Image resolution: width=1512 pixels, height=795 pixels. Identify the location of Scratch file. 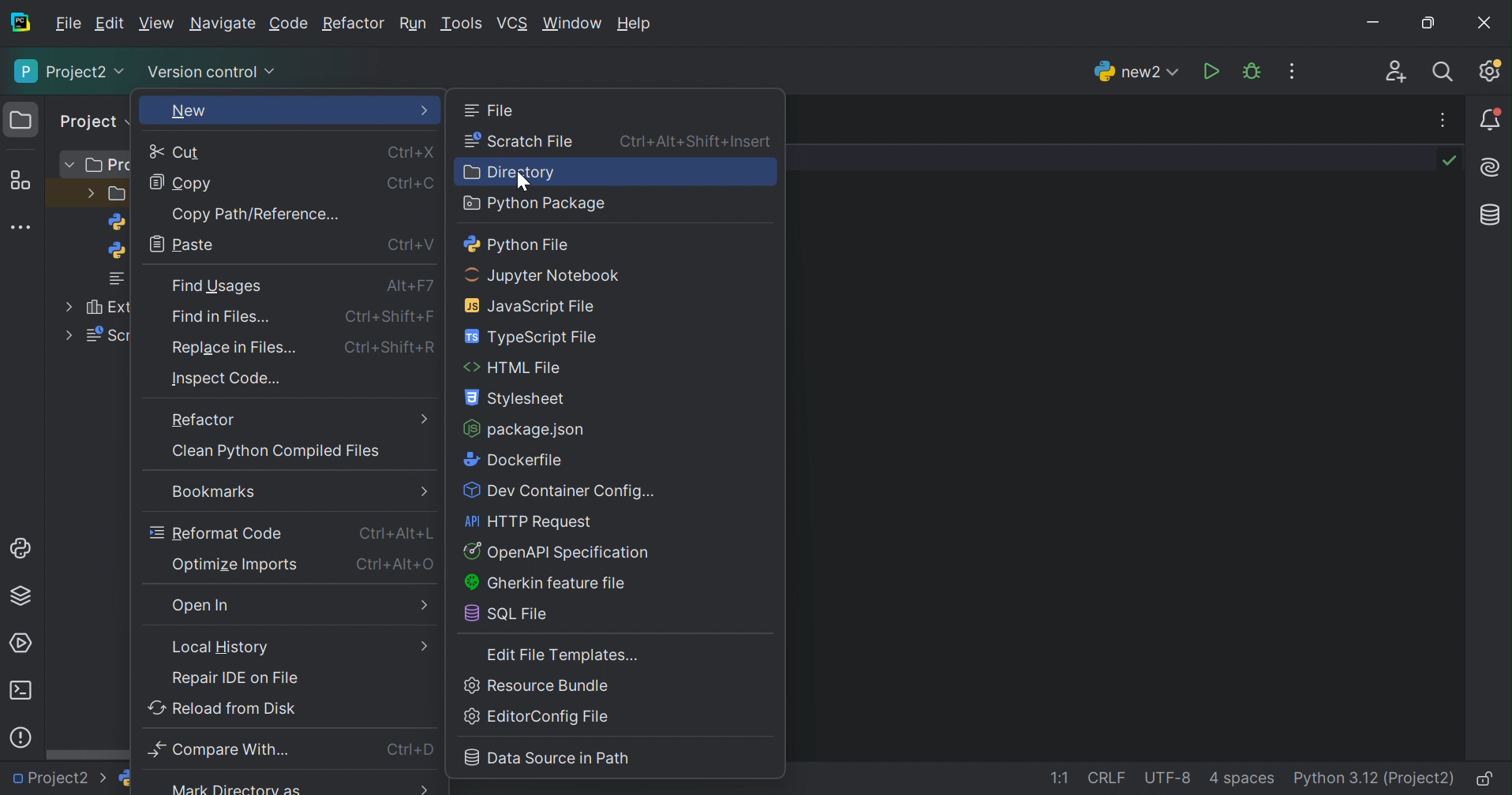
(519, 141).